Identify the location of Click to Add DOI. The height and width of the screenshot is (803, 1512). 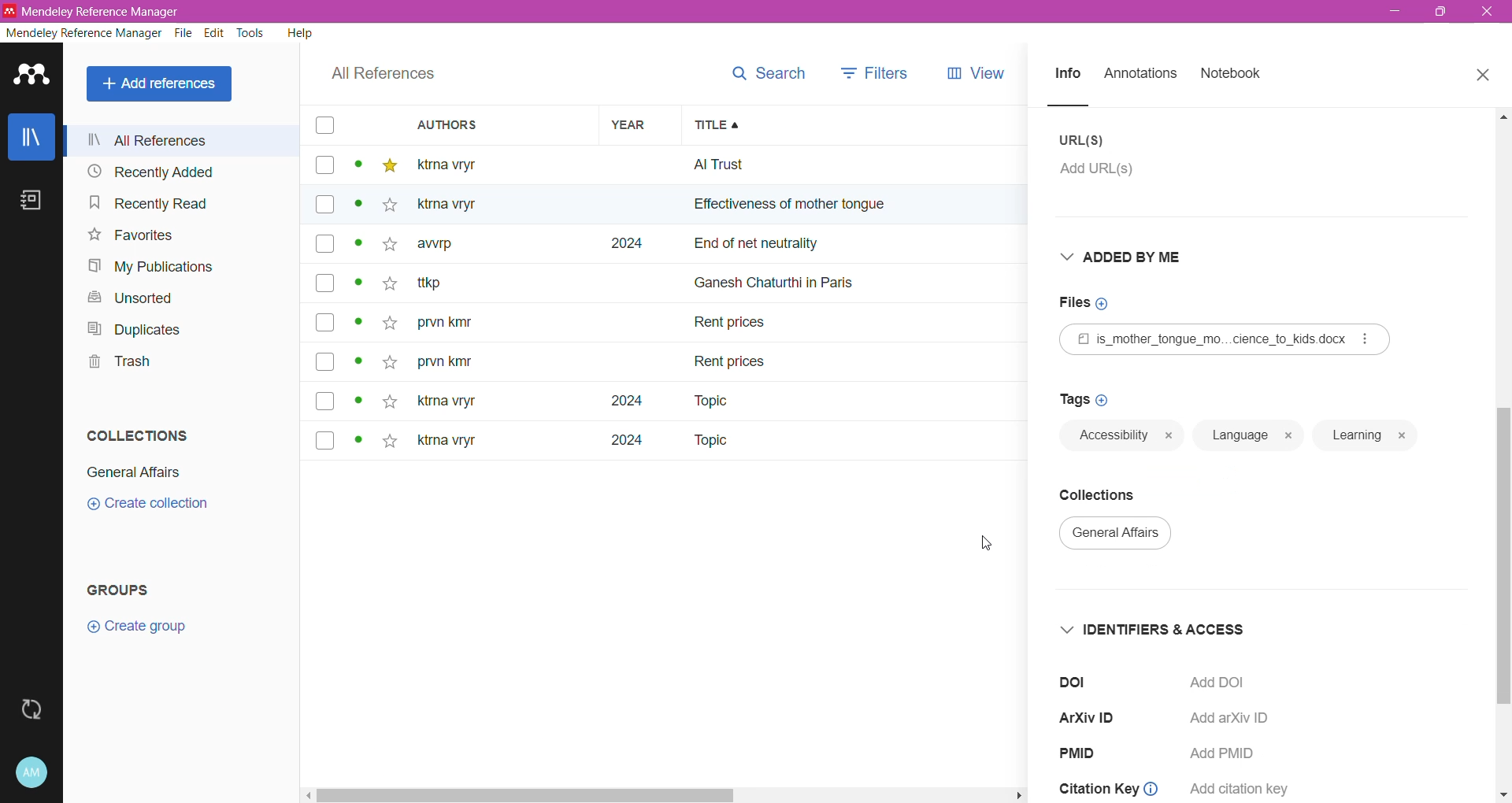
(1225, 679).